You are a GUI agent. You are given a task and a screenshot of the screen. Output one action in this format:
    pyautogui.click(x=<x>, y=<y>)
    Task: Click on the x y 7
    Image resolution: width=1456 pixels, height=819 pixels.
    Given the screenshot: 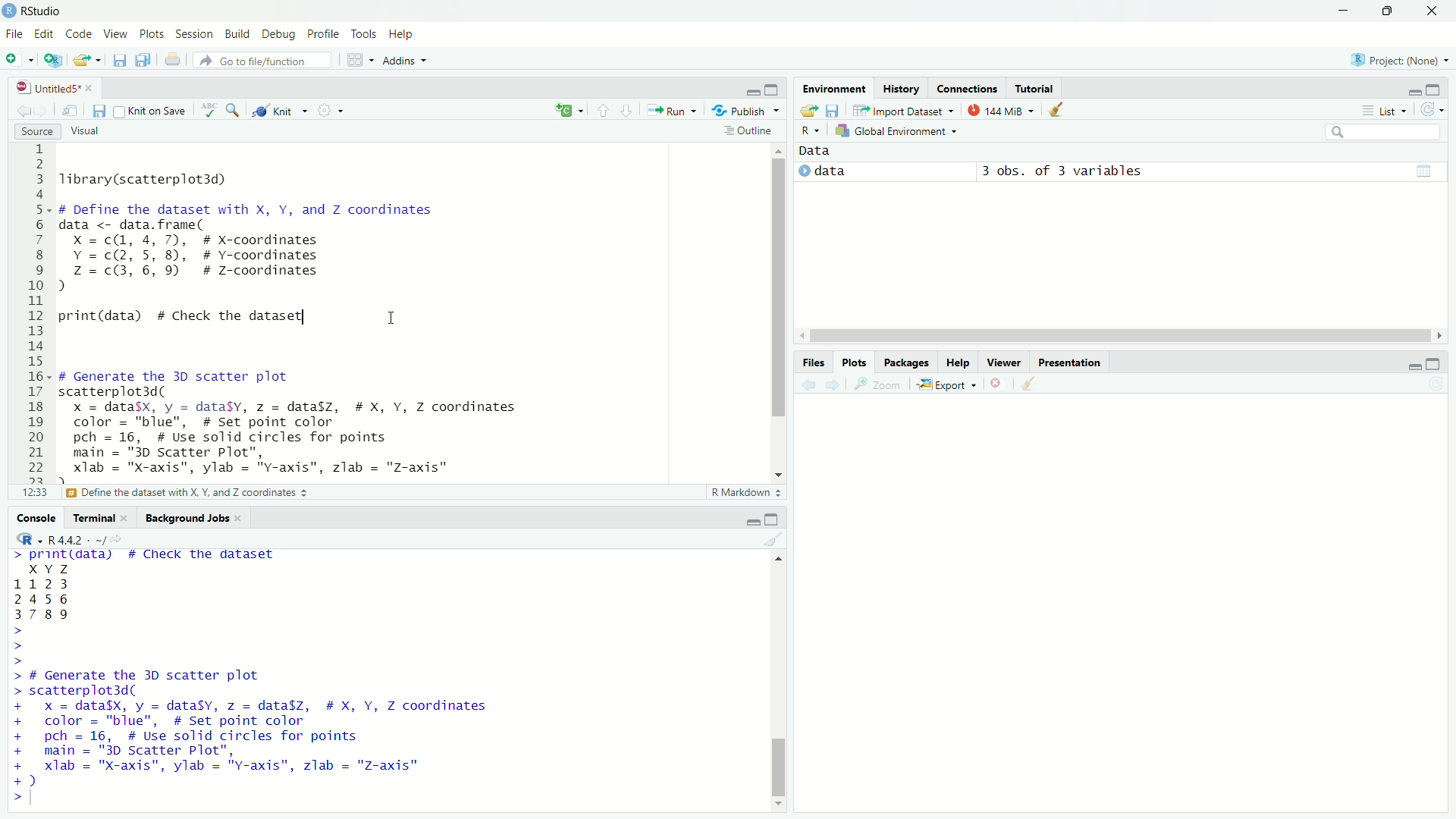 What is the action you would take?
    pyautogui.click(x=52, y=567)
    